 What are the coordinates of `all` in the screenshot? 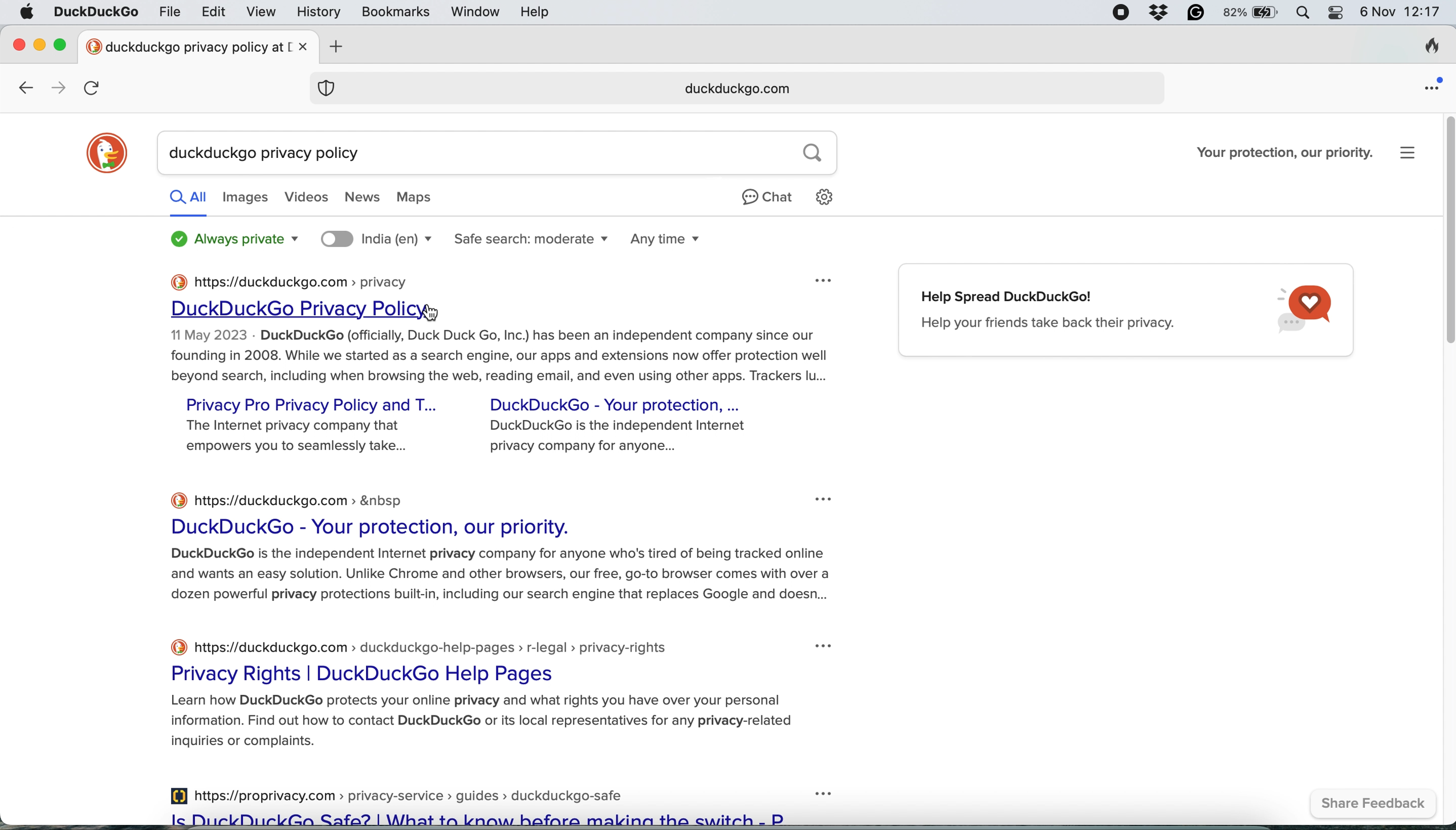 It's located at (182, 201).